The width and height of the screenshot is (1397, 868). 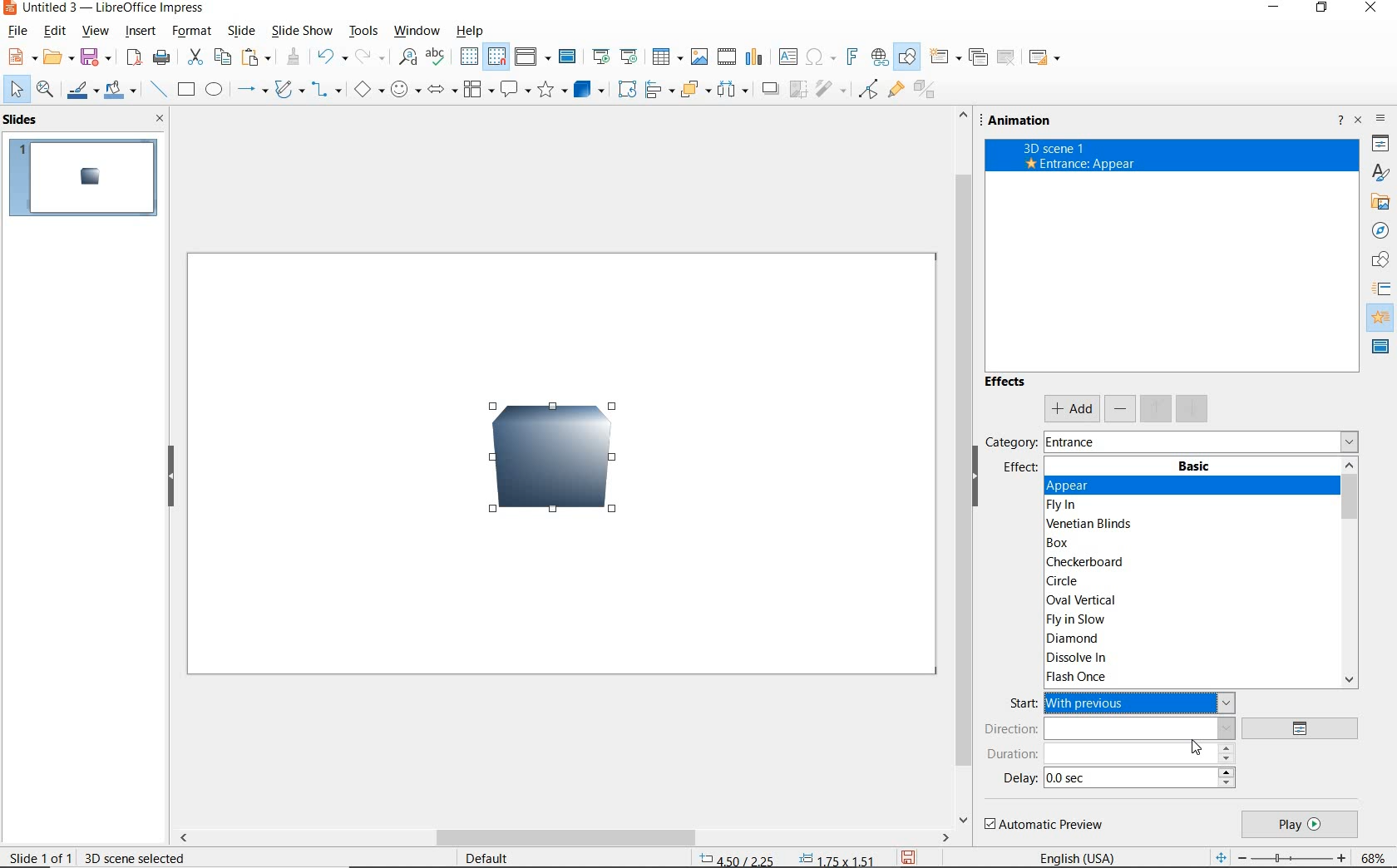 I want to click on STYLES, so click(x=1380, y=173).